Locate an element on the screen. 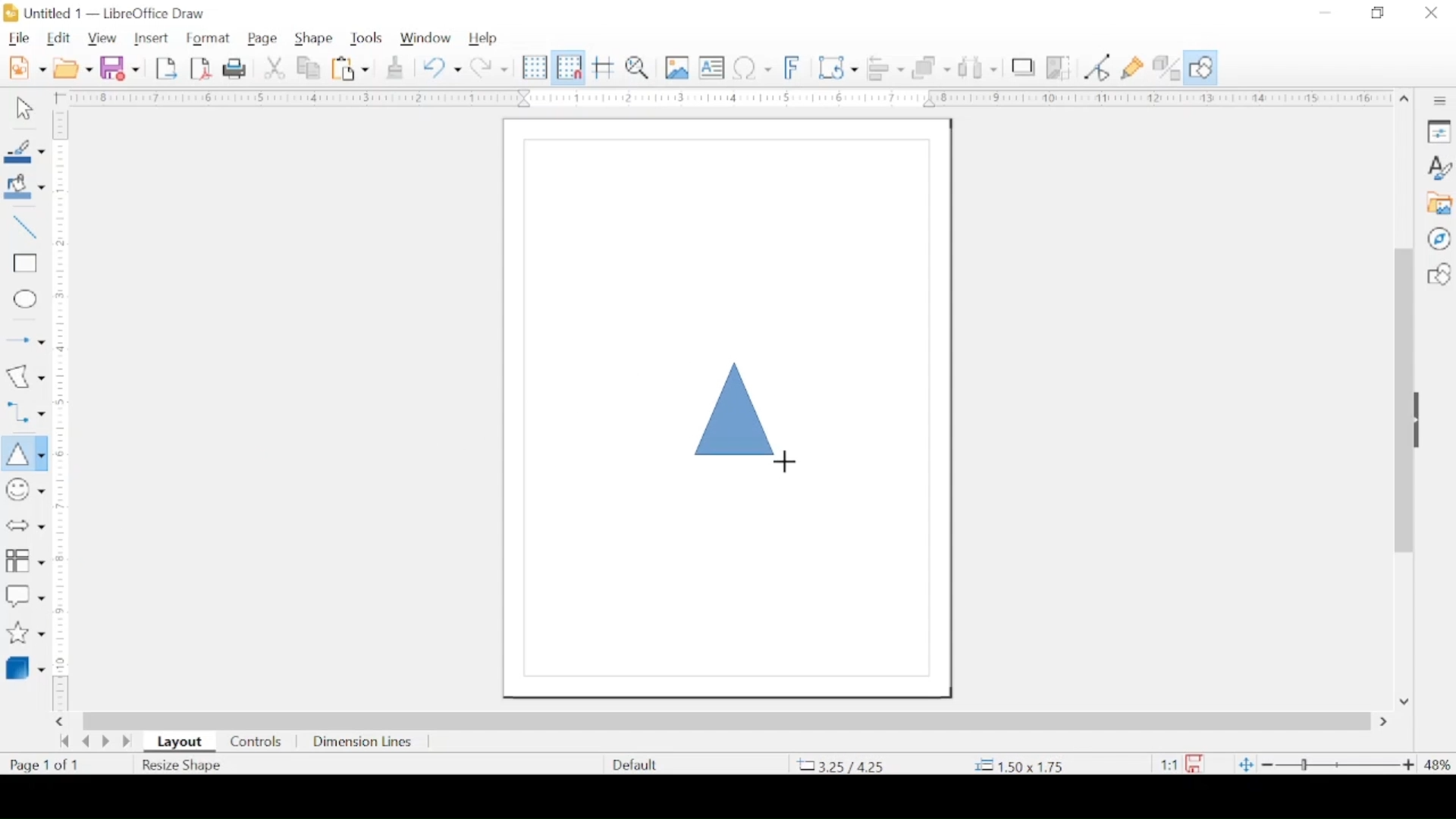 The image size is (1456, 819). clone formatting is located at coordinates (395, 67).